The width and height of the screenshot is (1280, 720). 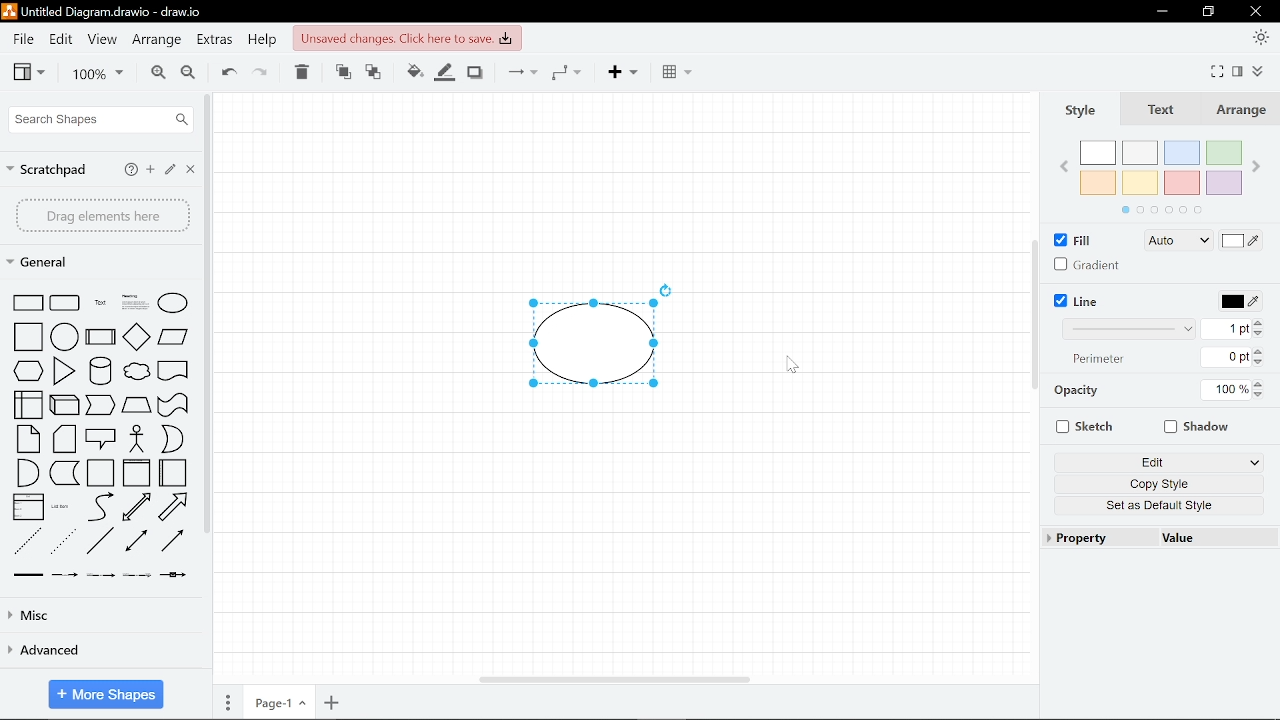 I want to click on Misc shapes, so click(x=102, y=615).